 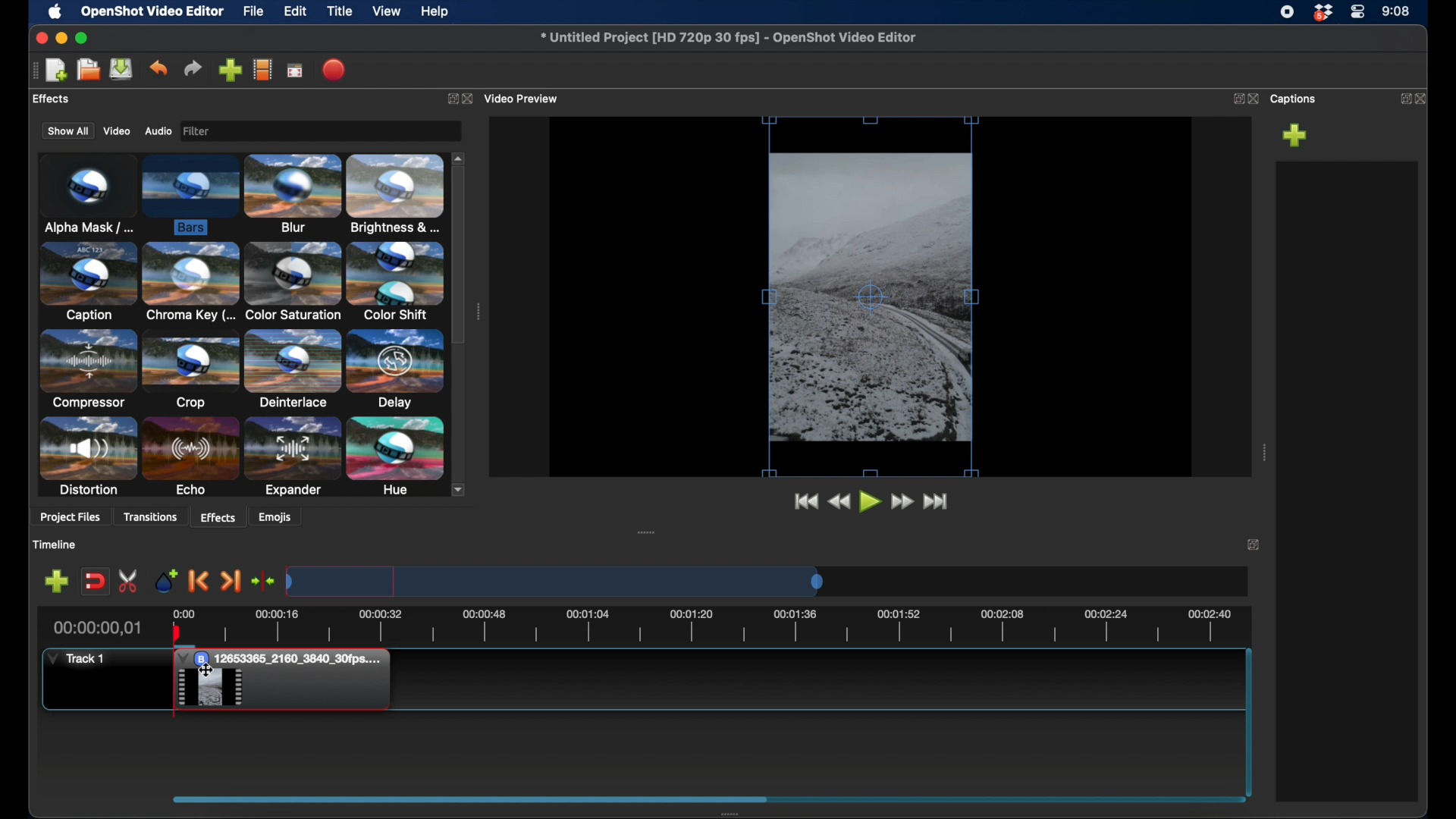 I want to click on filename, so click(x=727, y=37).